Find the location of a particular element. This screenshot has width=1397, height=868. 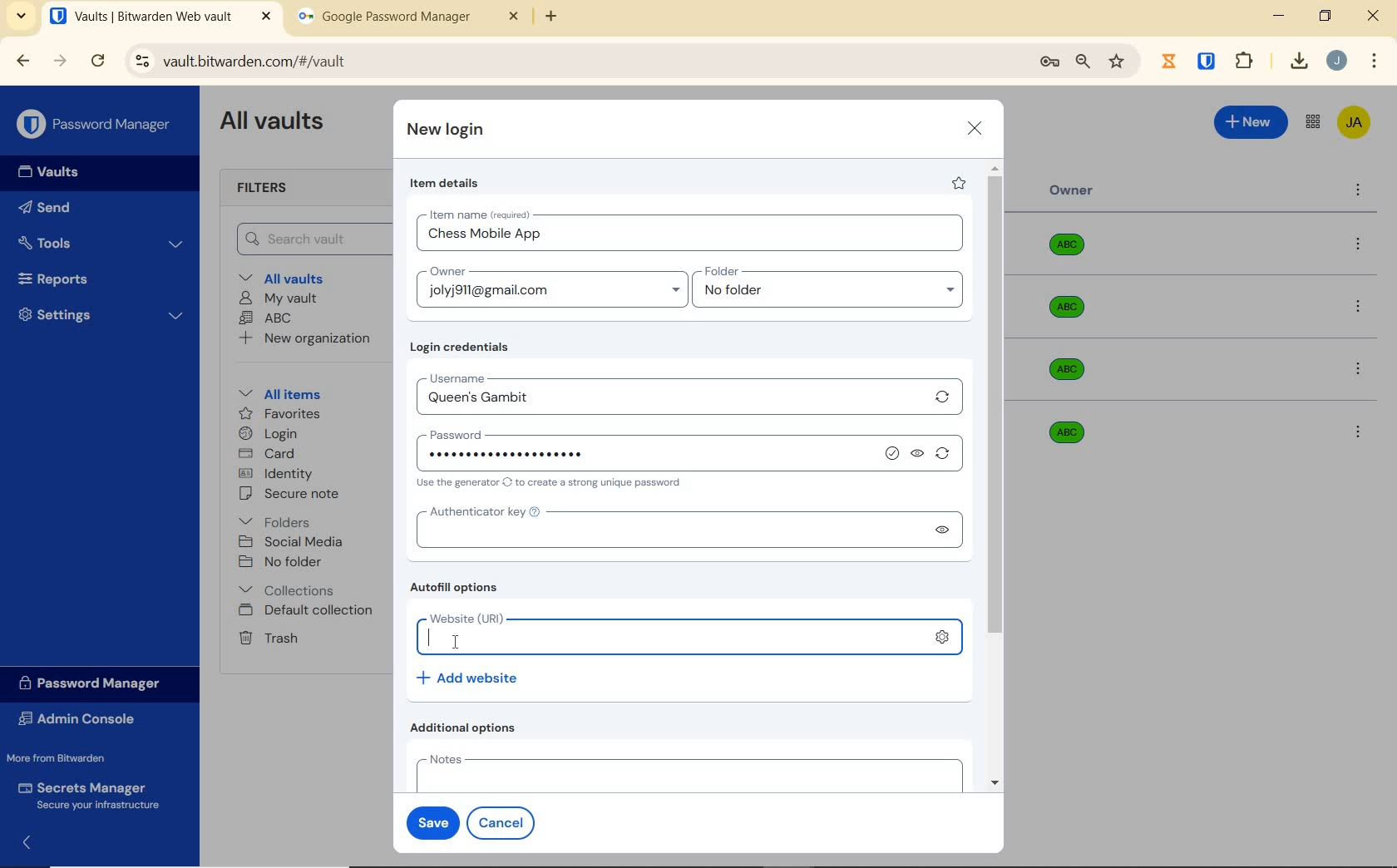

secure note is located at coordinates (294, 494).